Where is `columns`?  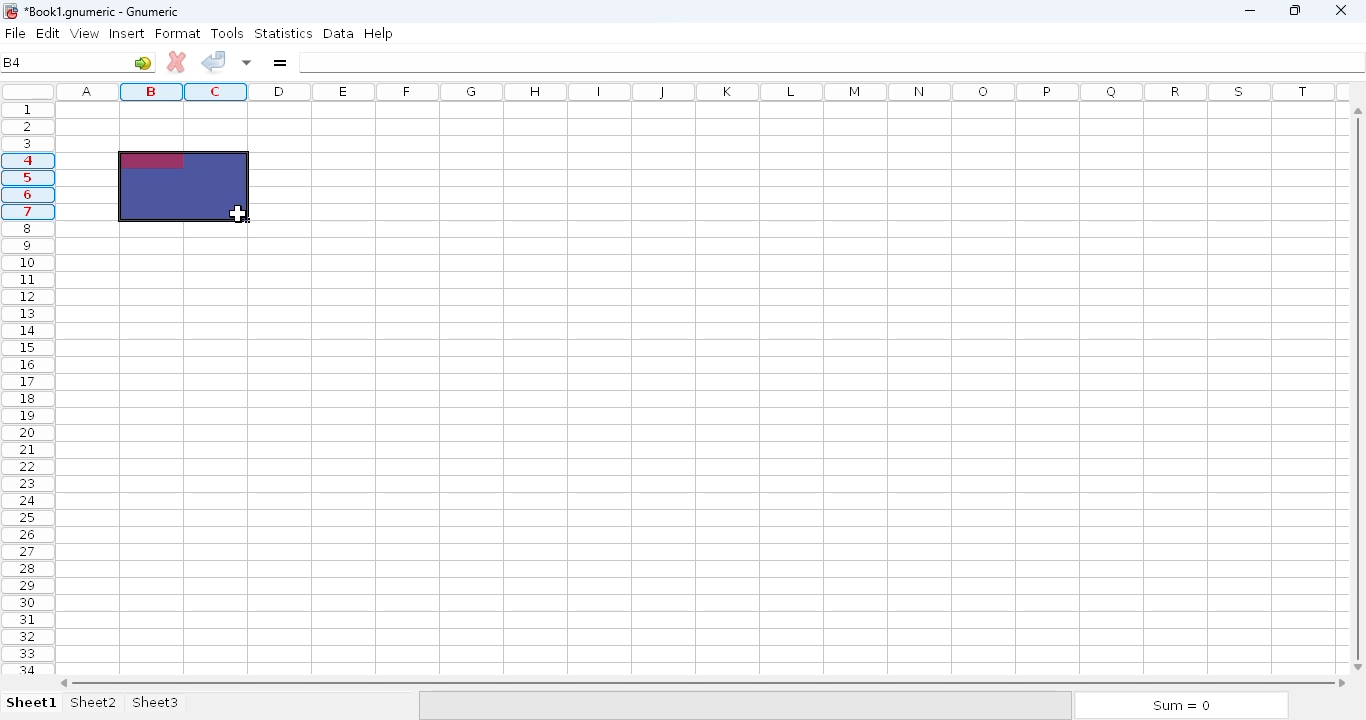
columns is located at coordinates (701, 91).